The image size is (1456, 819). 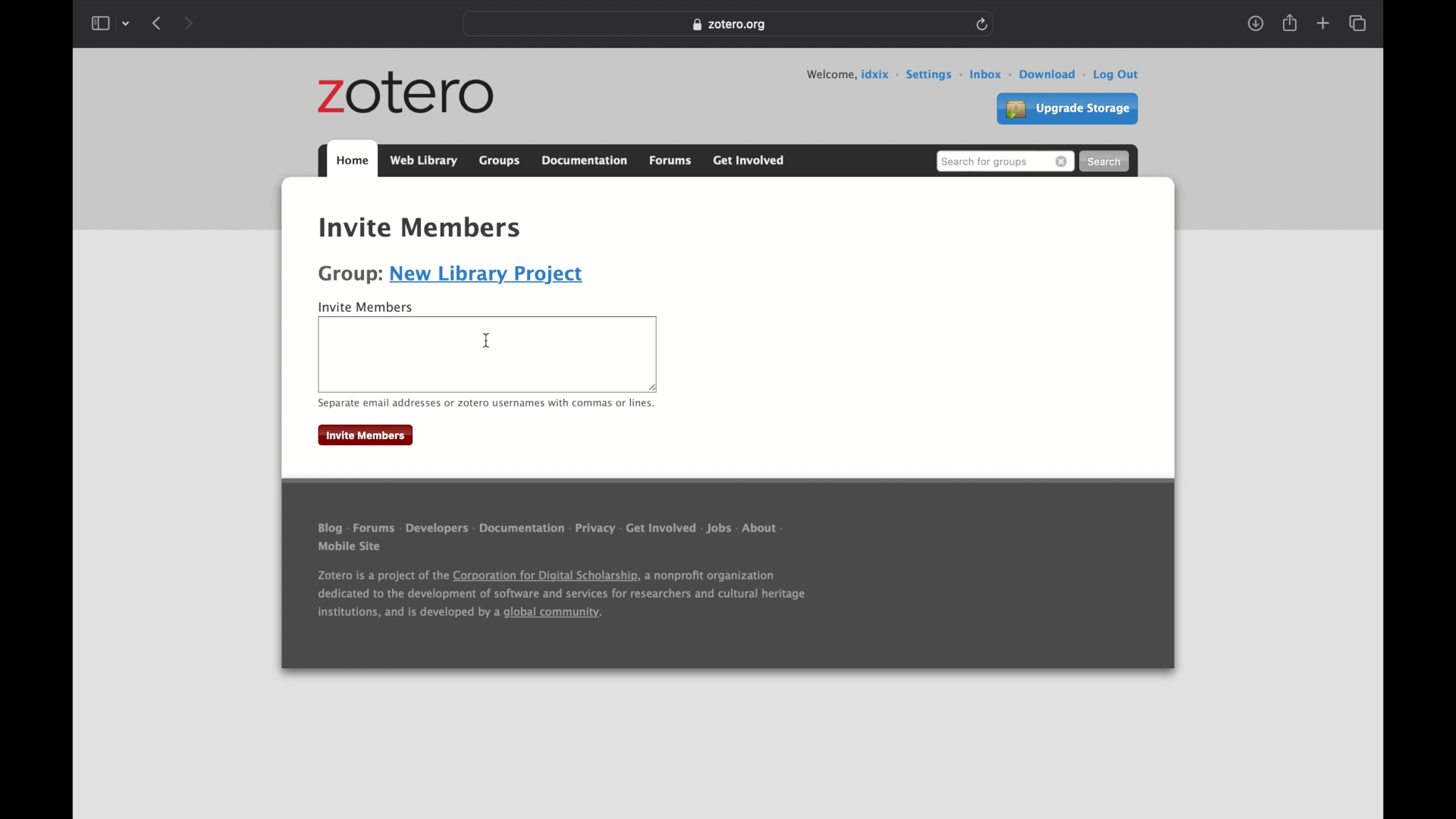 I want to click on get involved, so click(x=661, y=529).